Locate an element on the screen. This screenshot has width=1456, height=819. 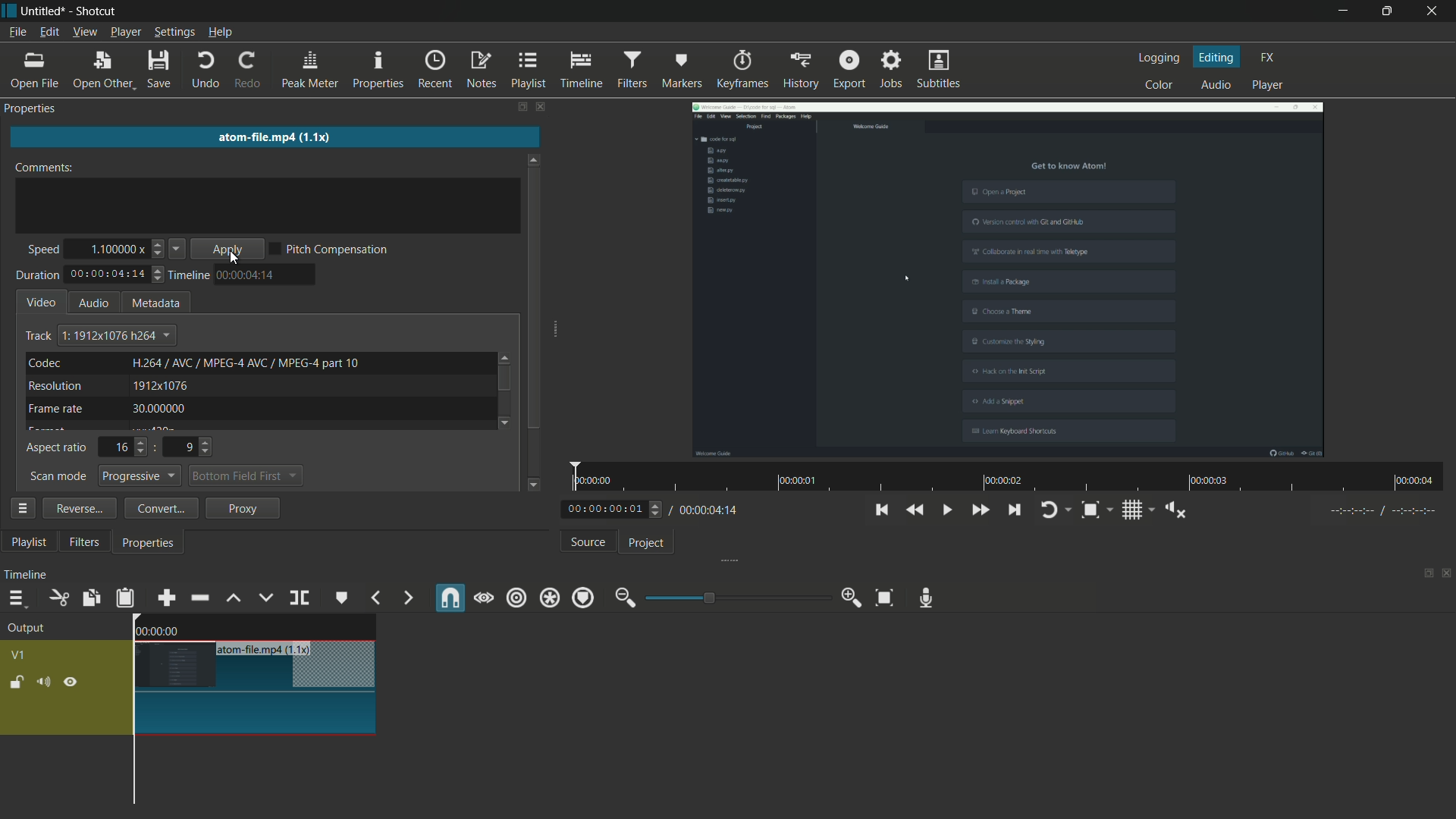
save is located at coordinates (160, 71).